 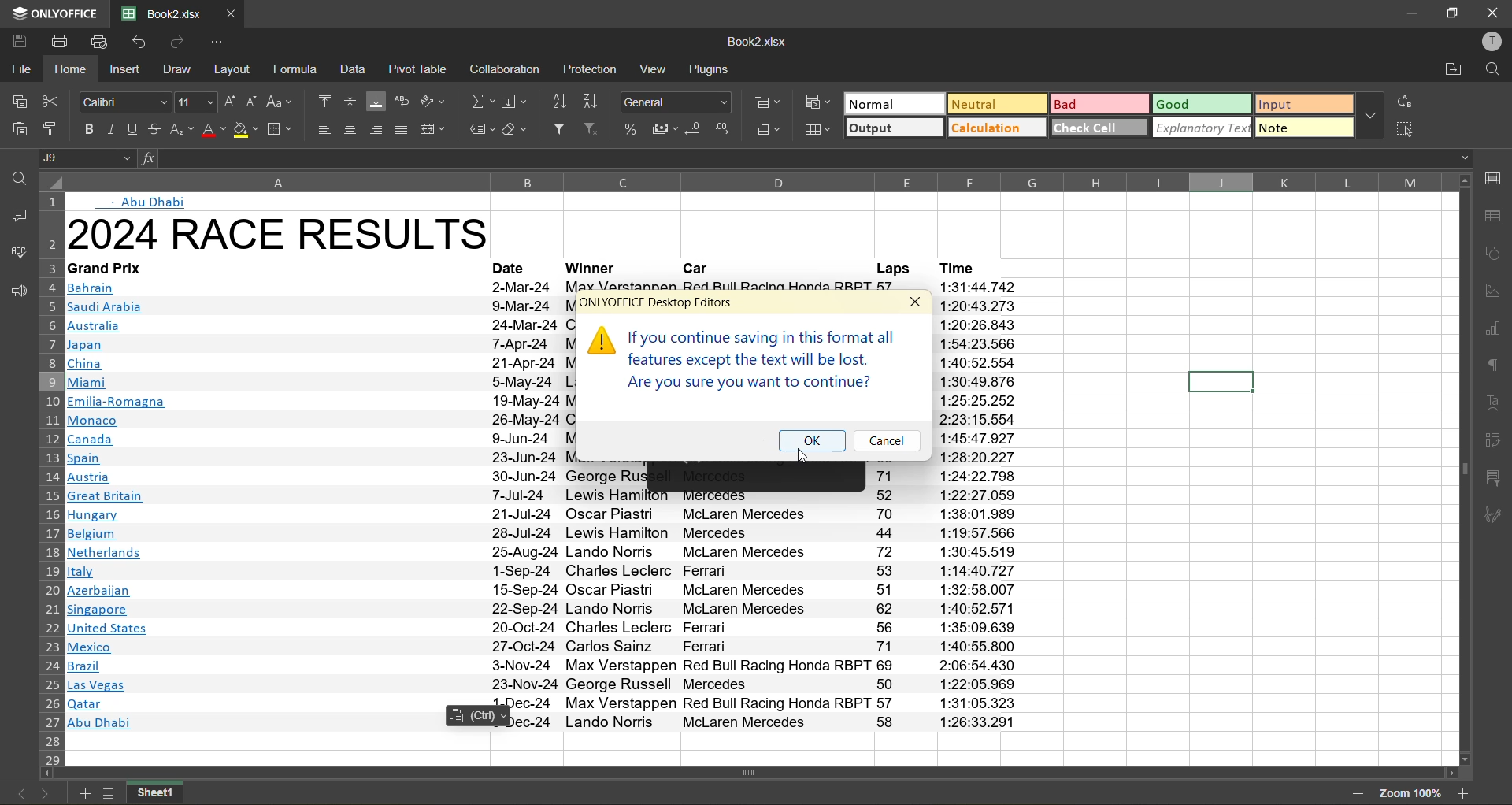 I want to click on font size, so click(x=195, y=102).